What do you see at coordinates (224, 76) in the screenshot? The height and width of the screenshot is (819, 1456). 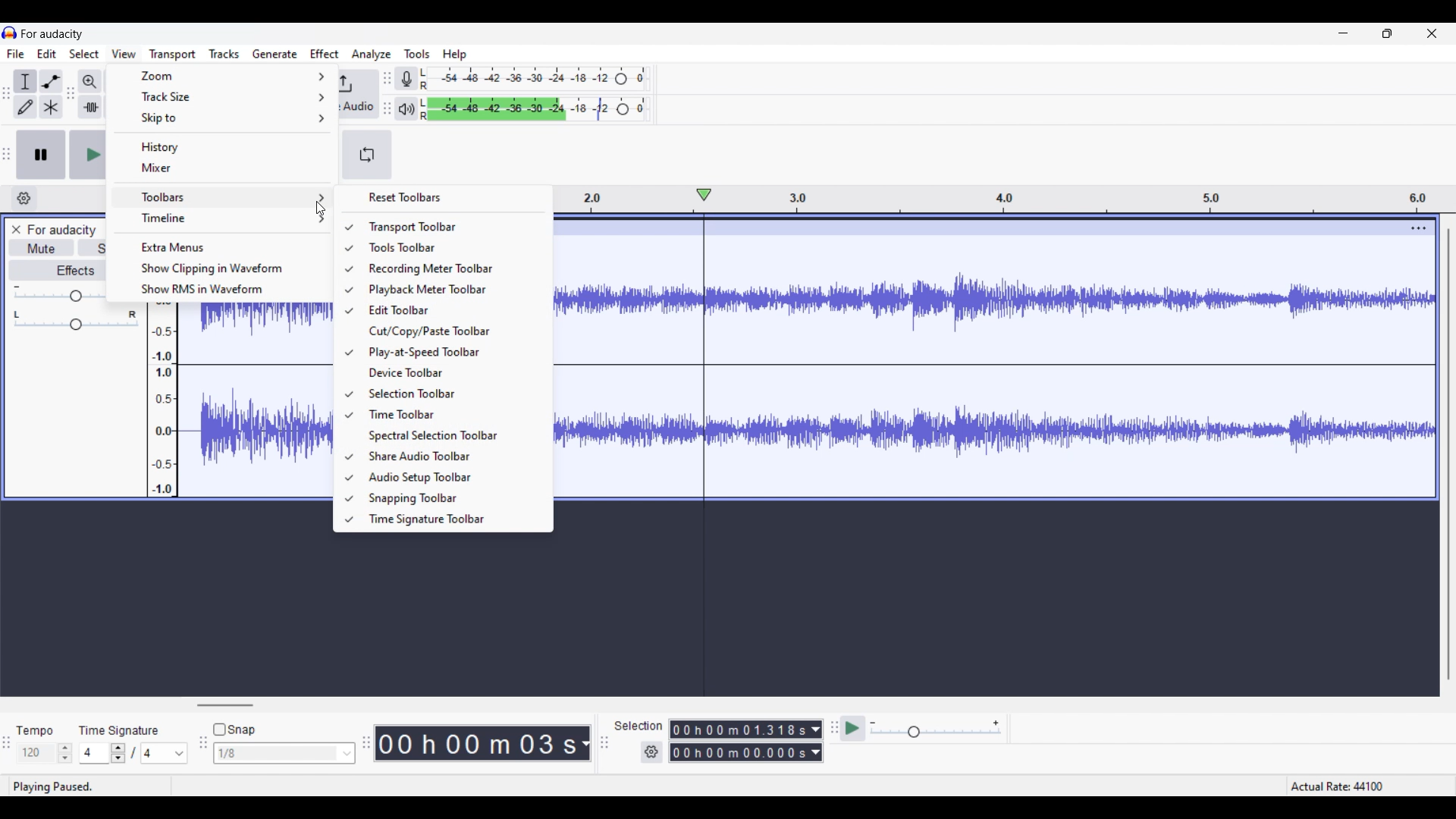 I see `Zoom options` at bounding box center [224, 76].